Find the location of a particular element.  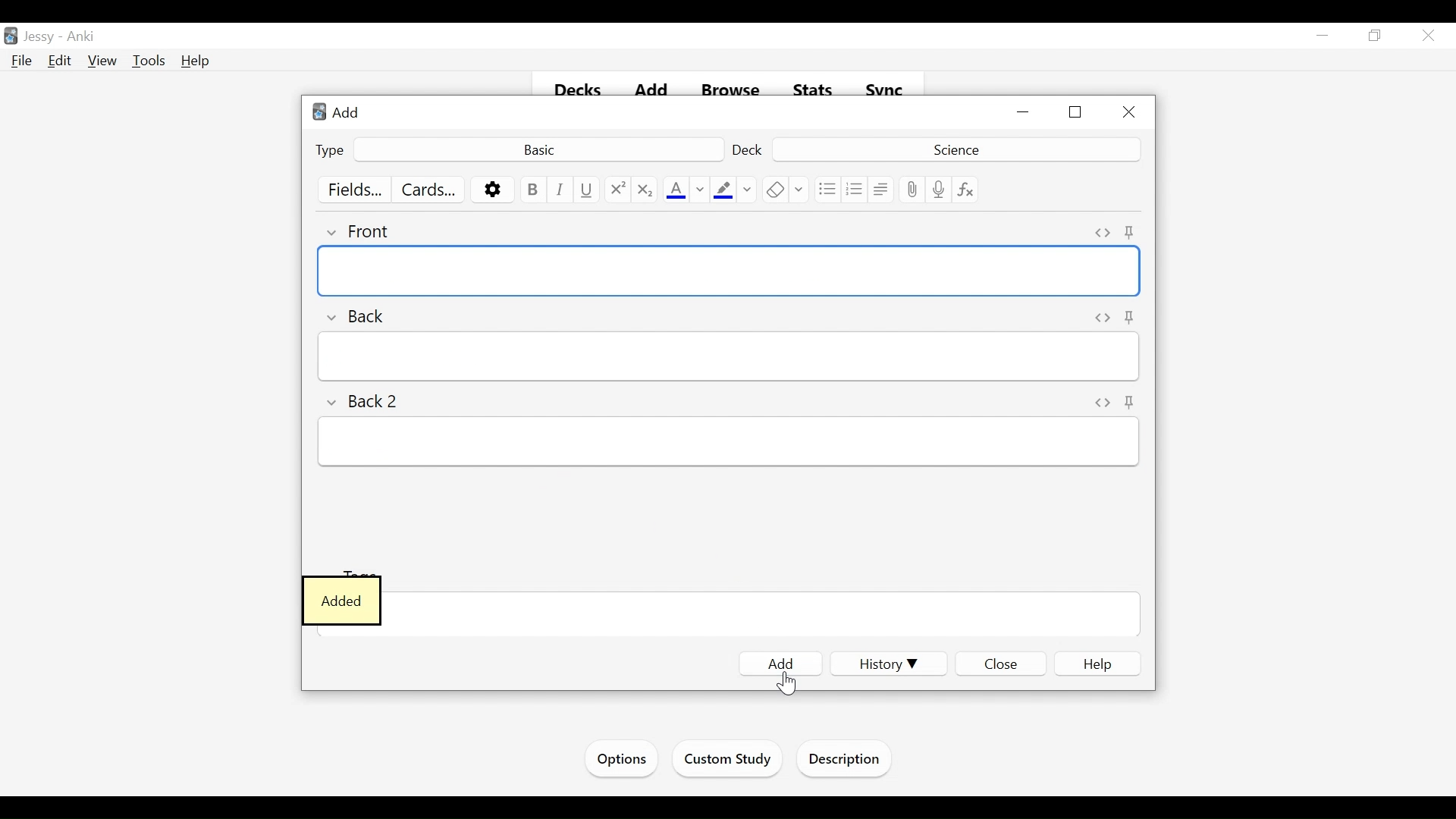

Custom Study is located at coordinates (729, 761).